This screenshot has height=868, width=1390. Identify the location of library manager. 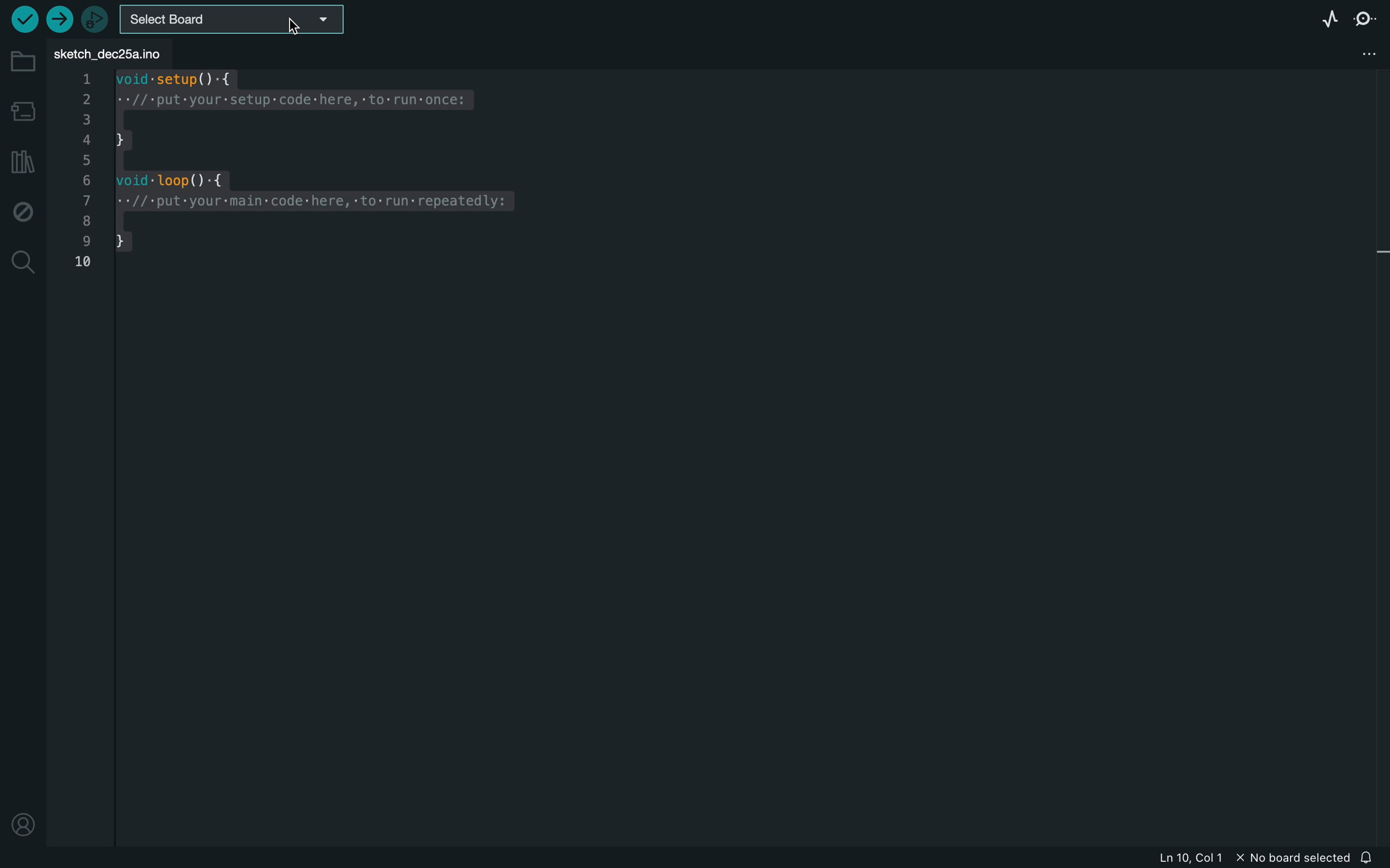
(22, 161).